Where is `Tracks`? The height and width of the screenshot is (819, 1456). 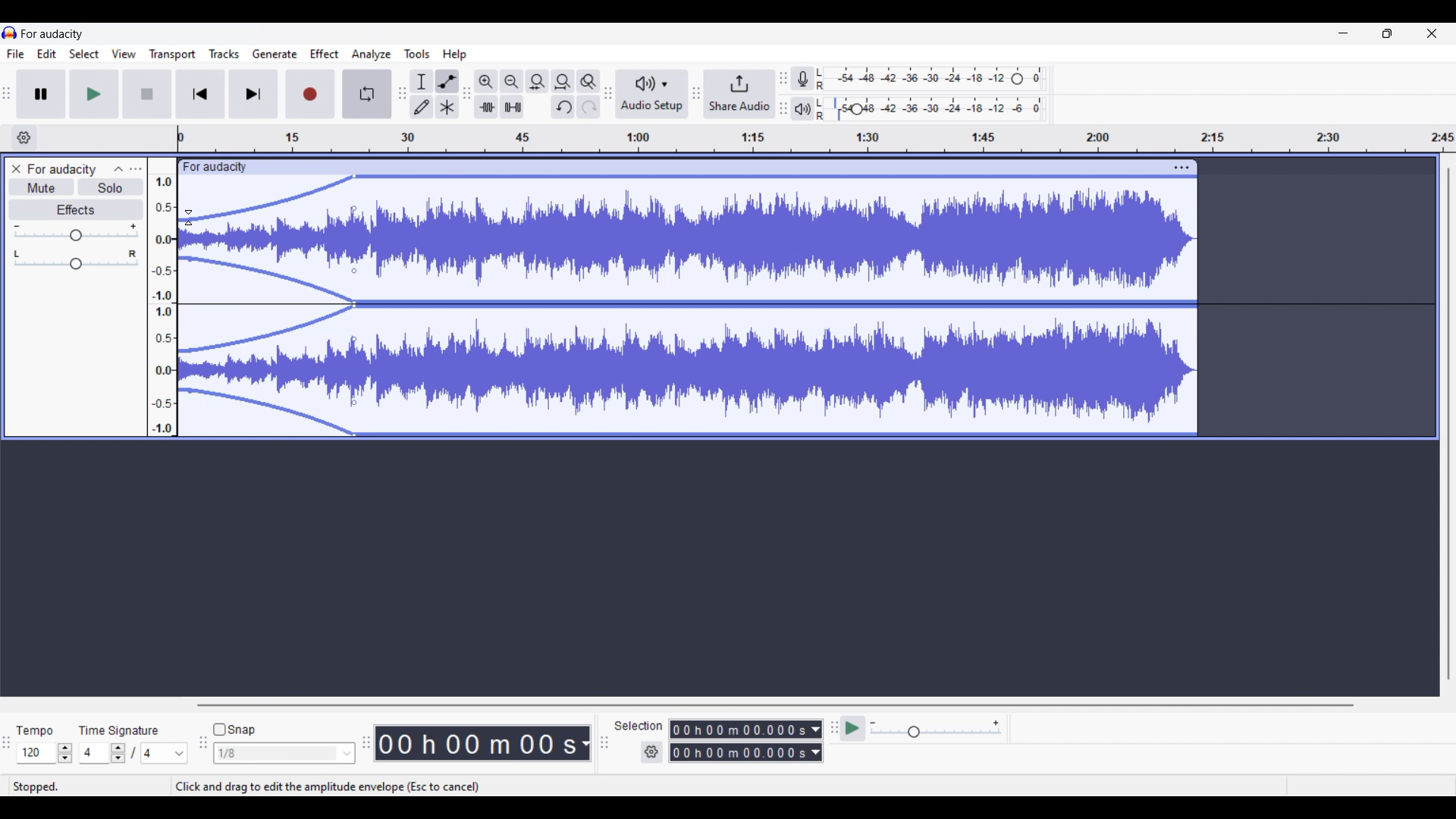
Tracks is located at coordinates (224, 54).